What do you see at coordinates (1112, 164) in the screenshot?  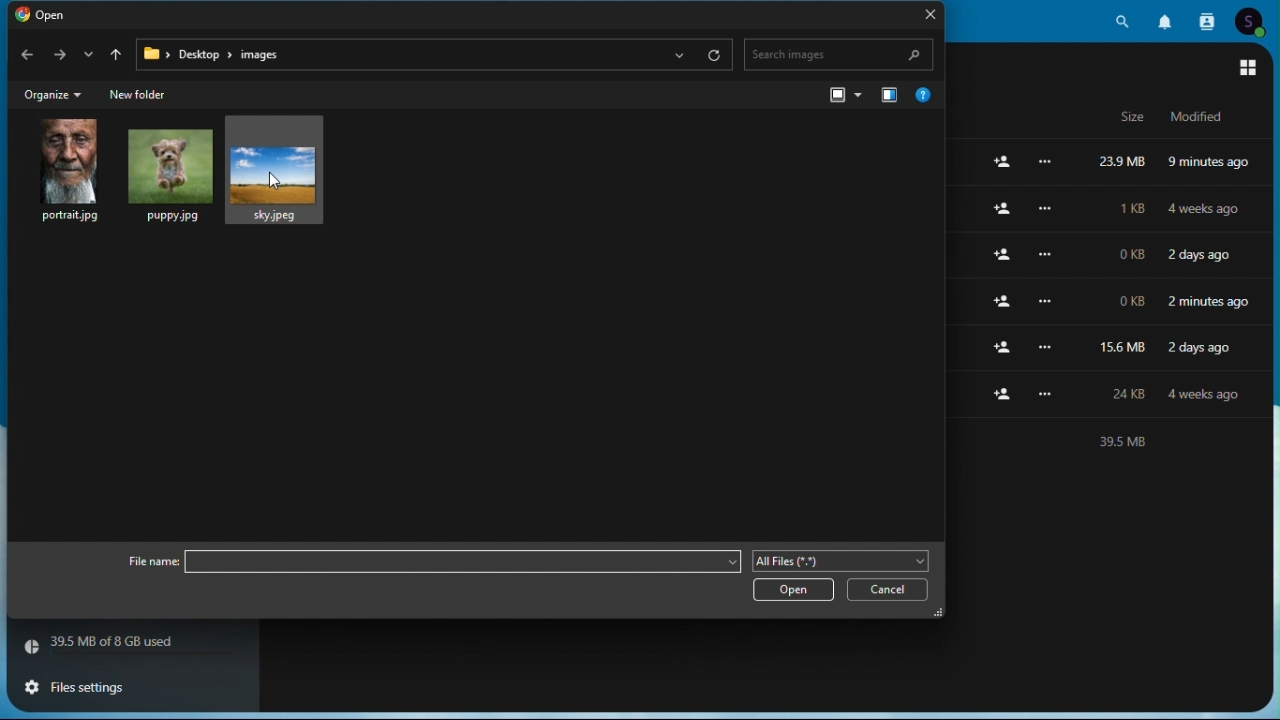 I see `File` at bounding box center [1112, 164].